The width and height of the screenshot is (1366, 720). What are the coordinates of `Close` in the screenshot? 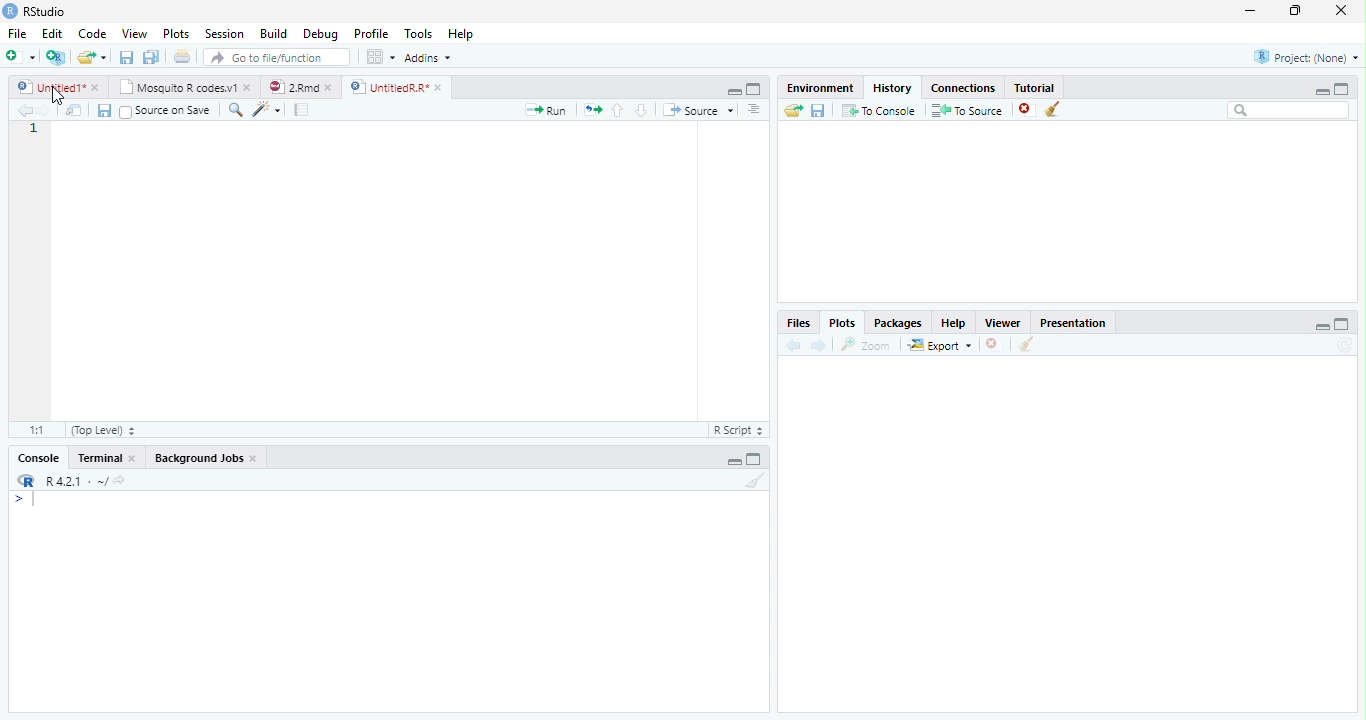 It's located at (133, 458).